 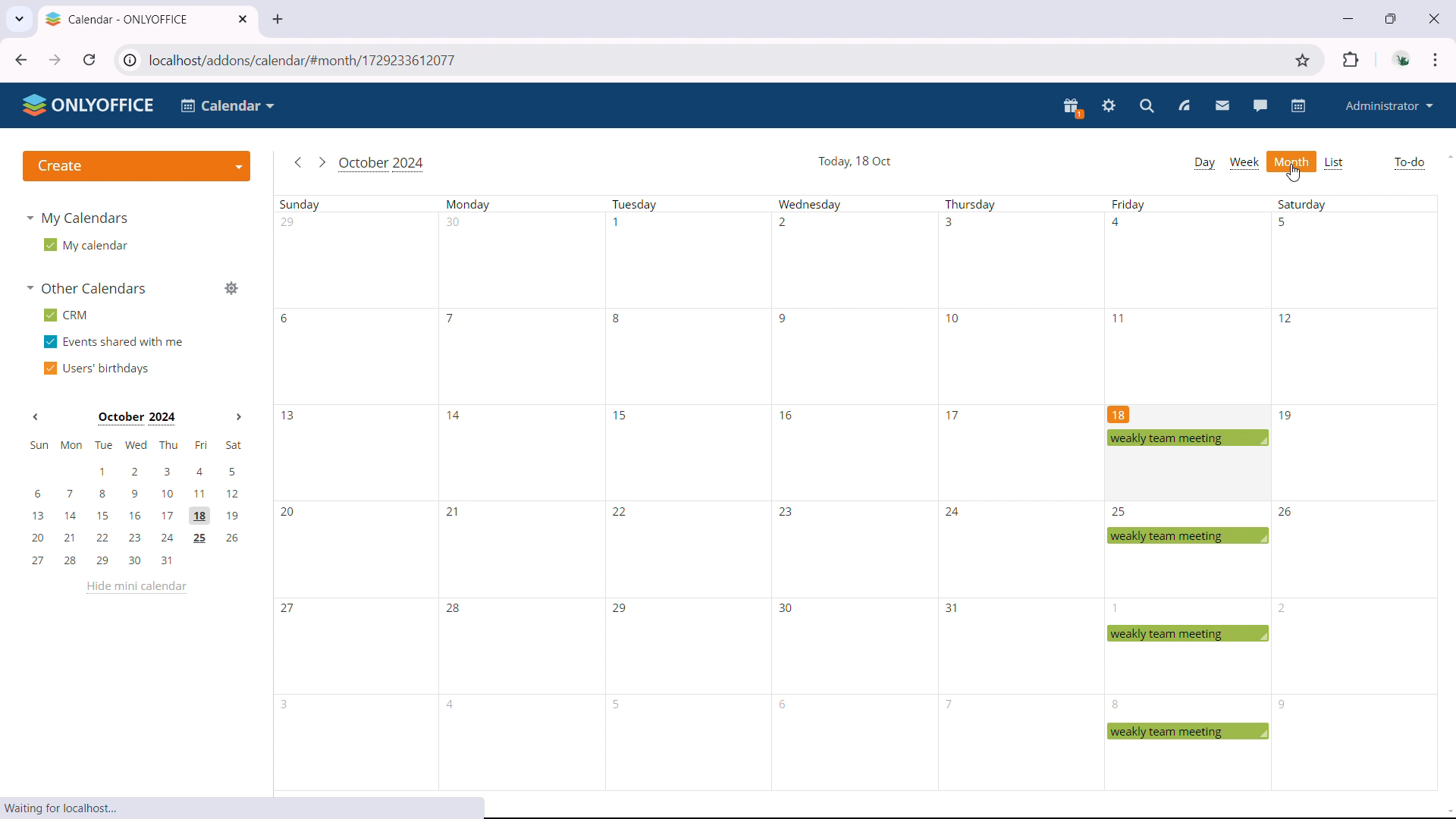 What do you see at coordinates (845, 495) in the screenshot?
I see `Wednesday` at bounding box center [845, 495].